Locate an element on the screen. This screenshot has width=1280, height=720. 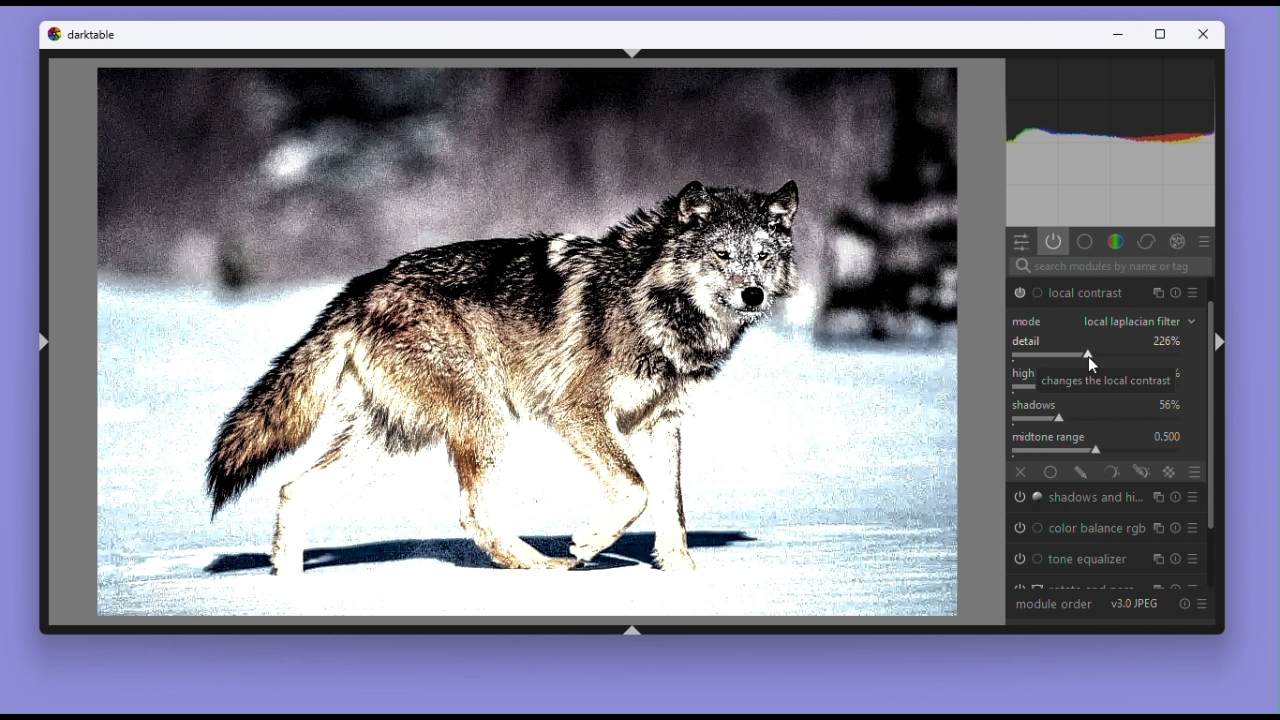
Shadows And highlights is located at coordinates (1094, 498).